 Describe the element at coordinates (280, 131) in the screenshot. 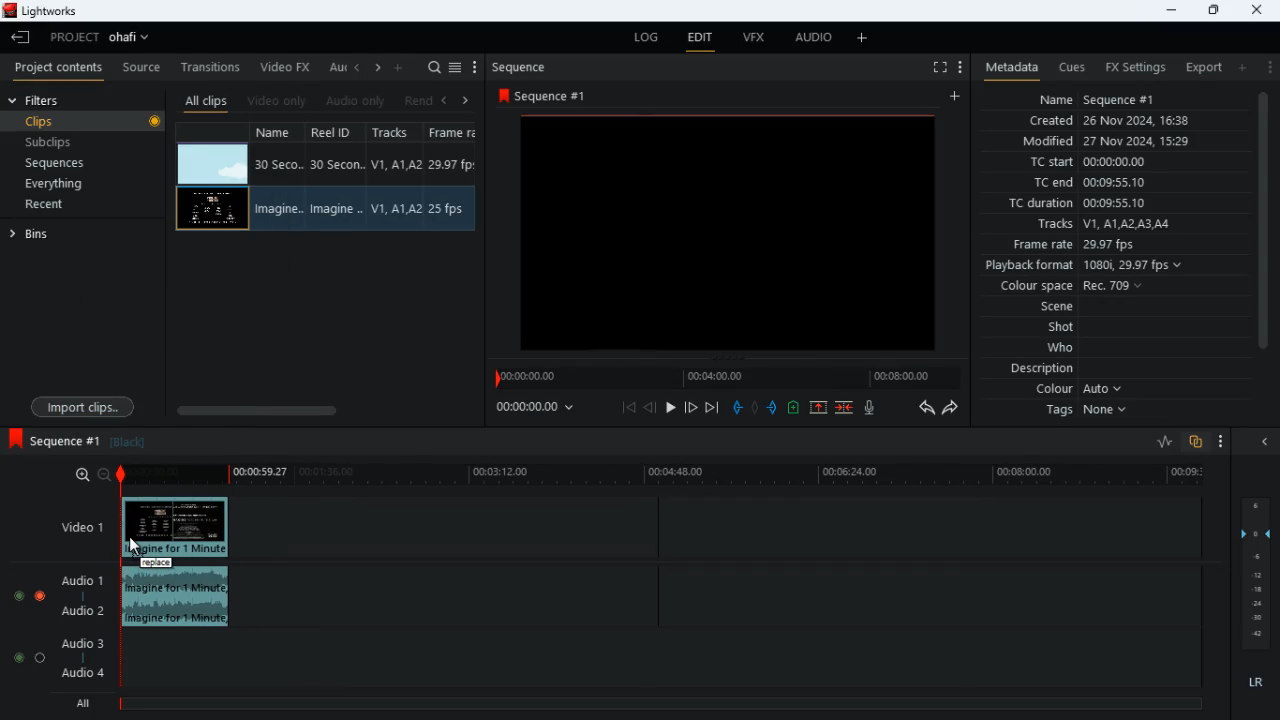

I see `name` at that location.